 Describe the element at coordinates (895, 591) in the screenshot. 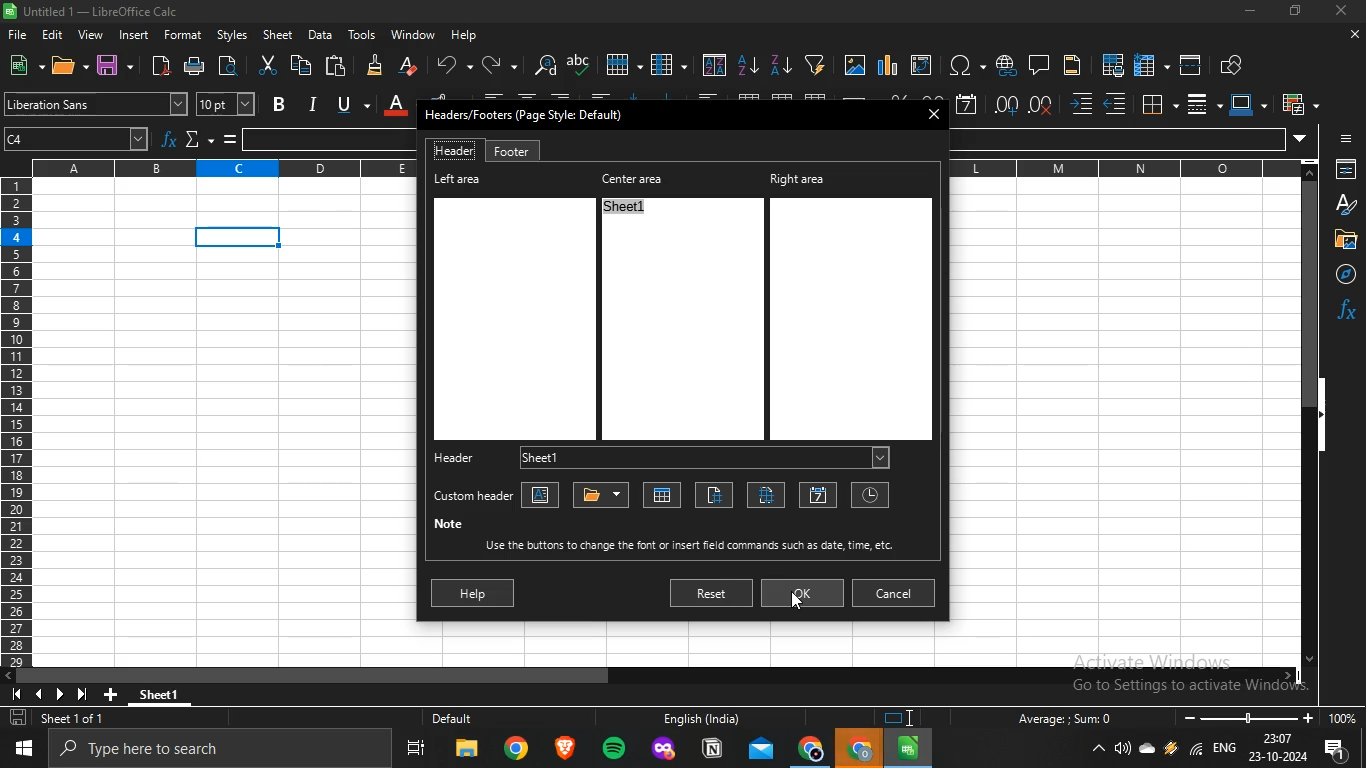

I see `cancel` at that location.